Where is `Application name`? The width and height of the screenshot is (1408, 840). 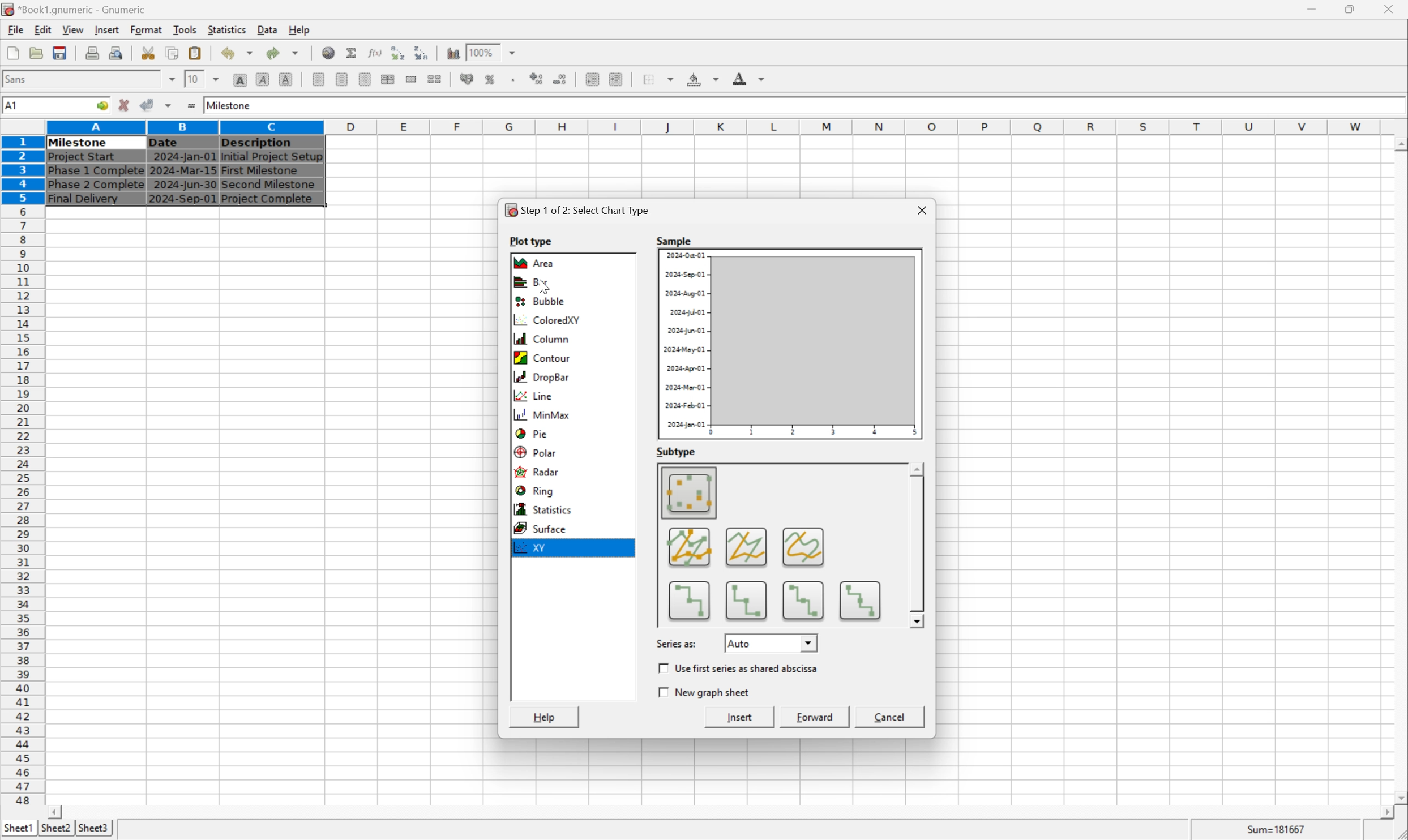
Application name is located at coordinates (75, 10).